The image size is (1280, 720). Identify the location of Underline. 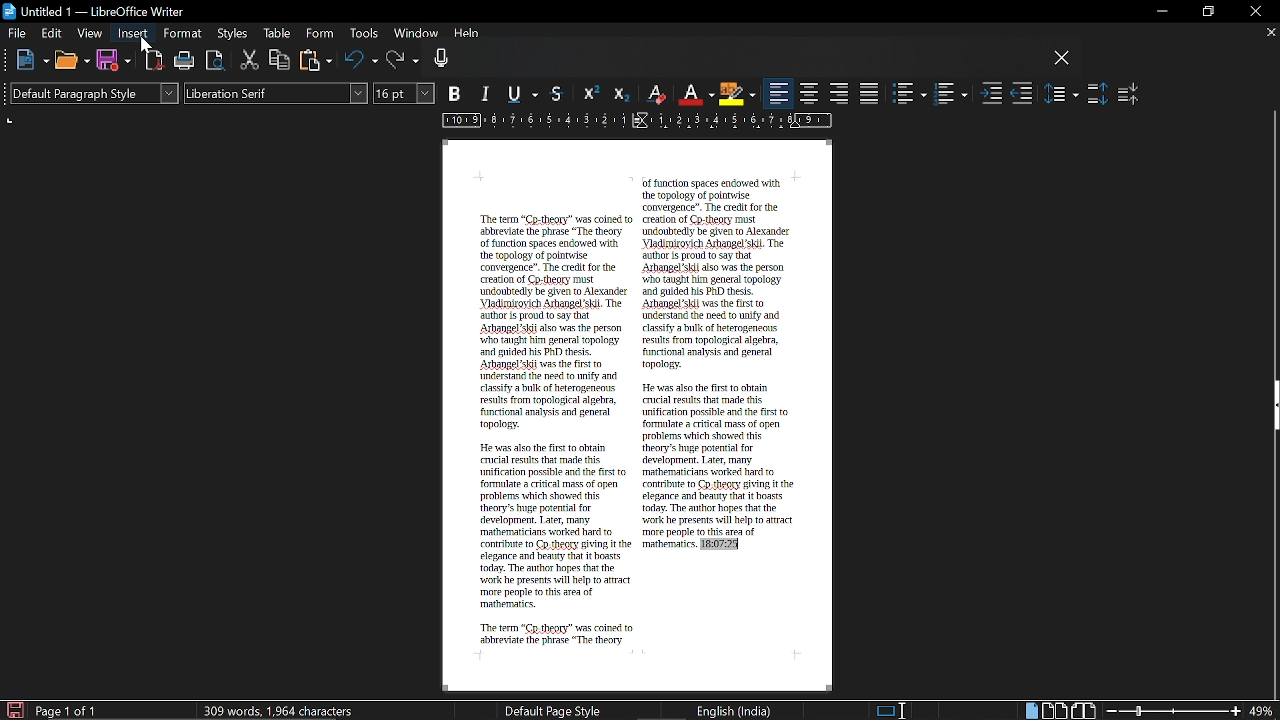
(696, 94).